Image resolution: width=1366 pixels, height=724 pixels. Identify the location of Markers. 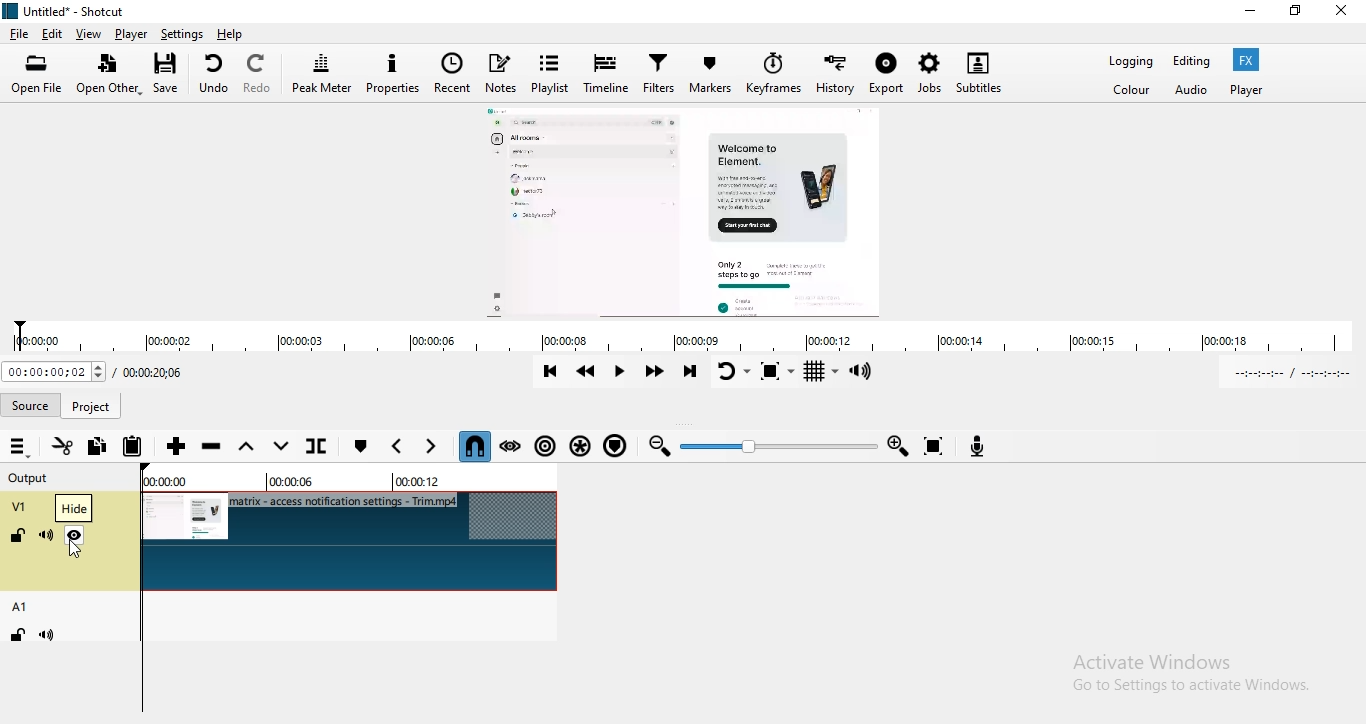
(713, 73).